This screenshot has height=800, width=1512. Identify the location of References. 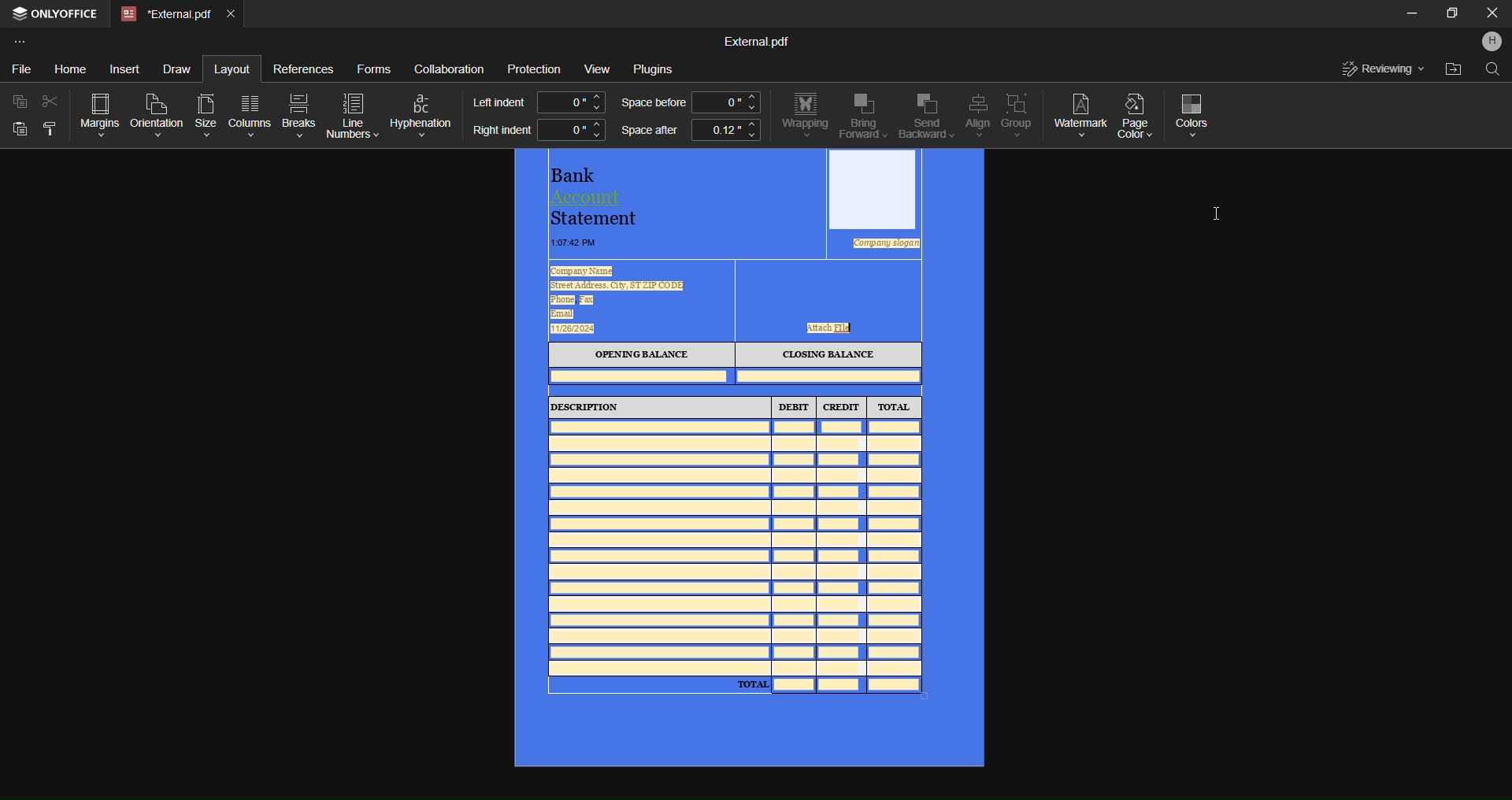
(304, 72).